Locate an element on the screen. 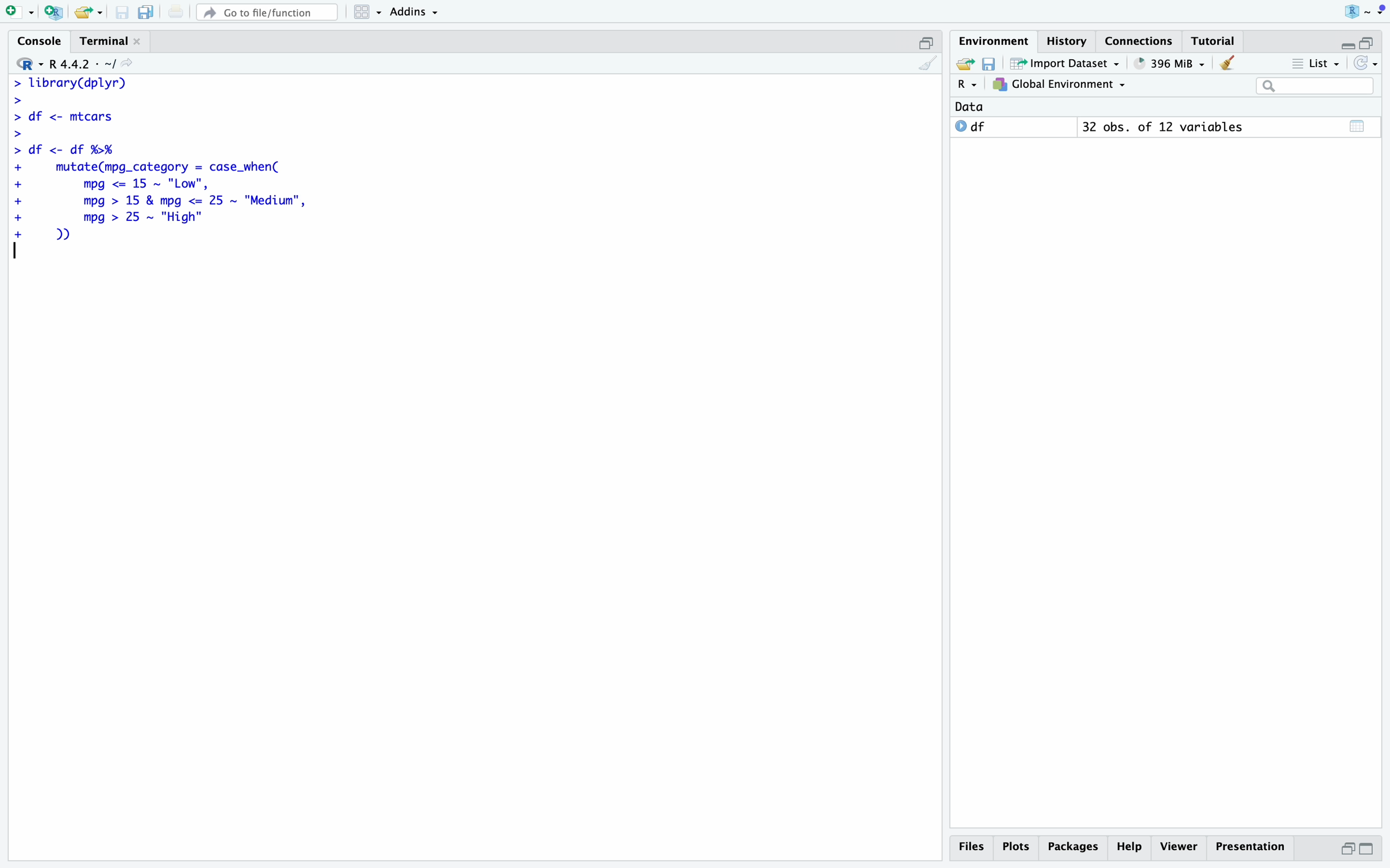  open in separate window is located at coordinates (926, 43).